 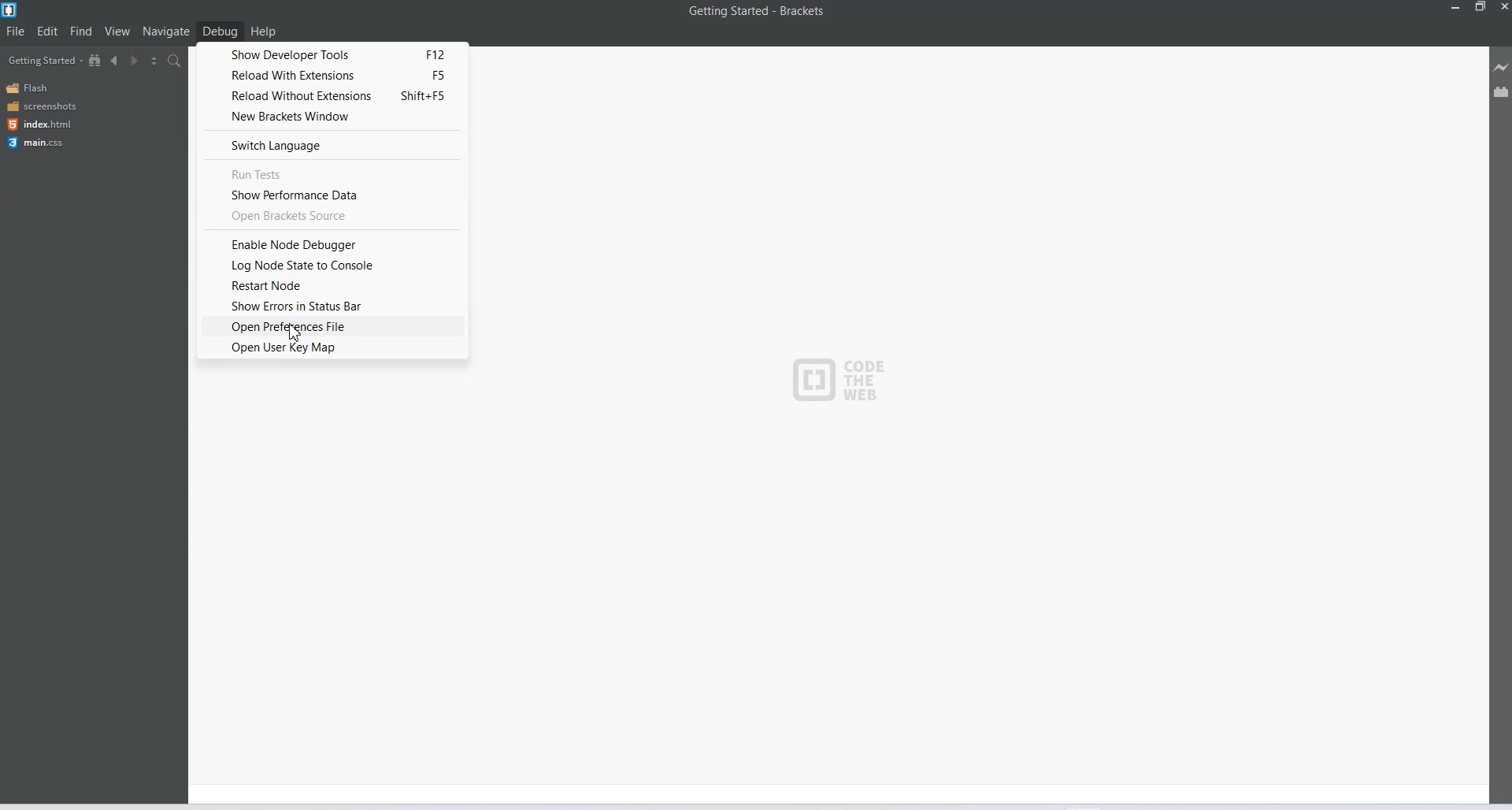 What do you see at coordinates (97, 60) in the screenshot?
I see `View in file Tree` at bounding box center [97, 60].